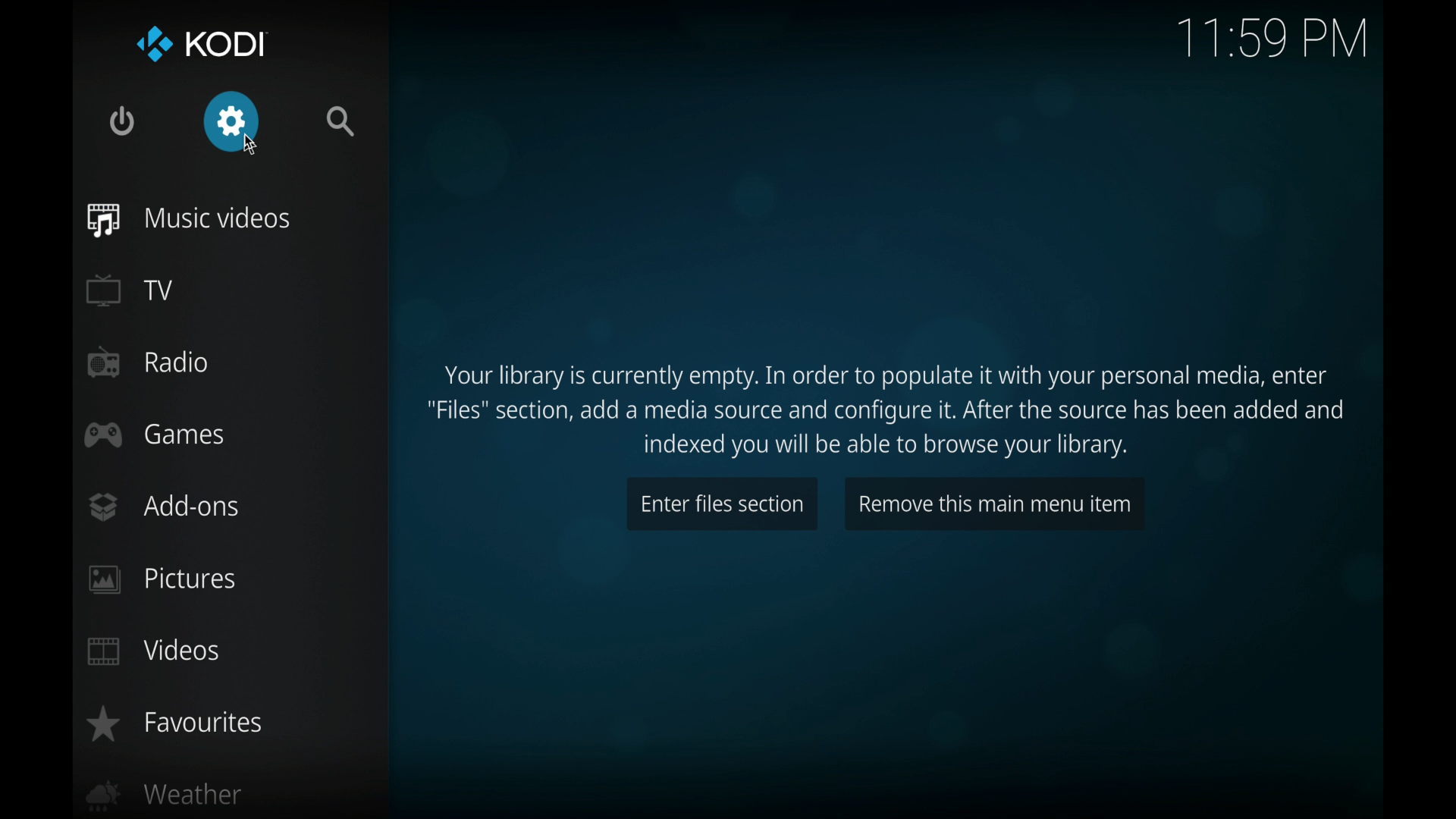  What do you see at coordinates (342, 121) in the screenshot?
I see `search` at bounding box center [342, 121].